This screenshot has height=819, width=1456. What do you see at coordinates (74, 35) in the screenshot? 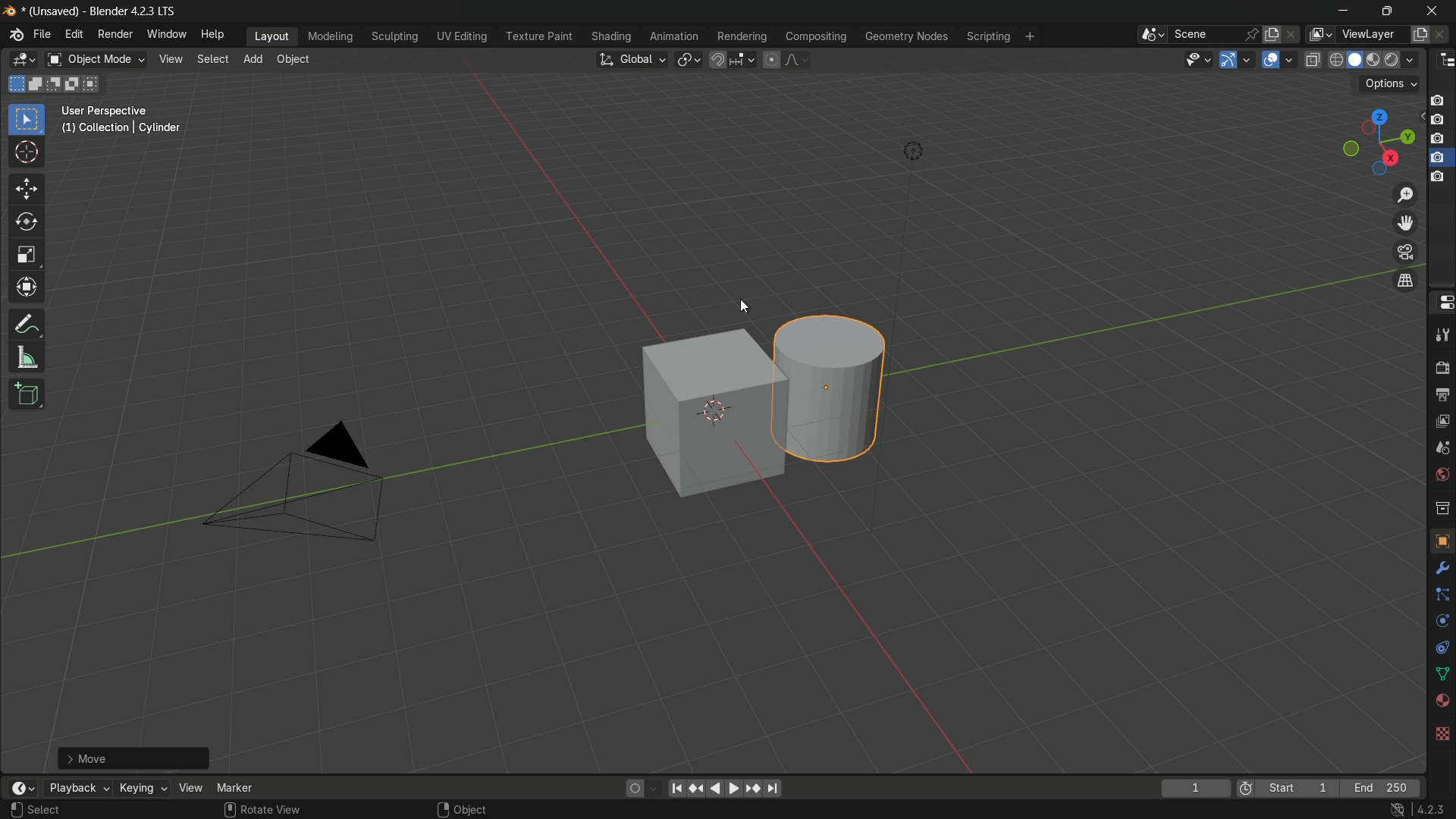
I see `edit menu` at bounding box center [74, 35].